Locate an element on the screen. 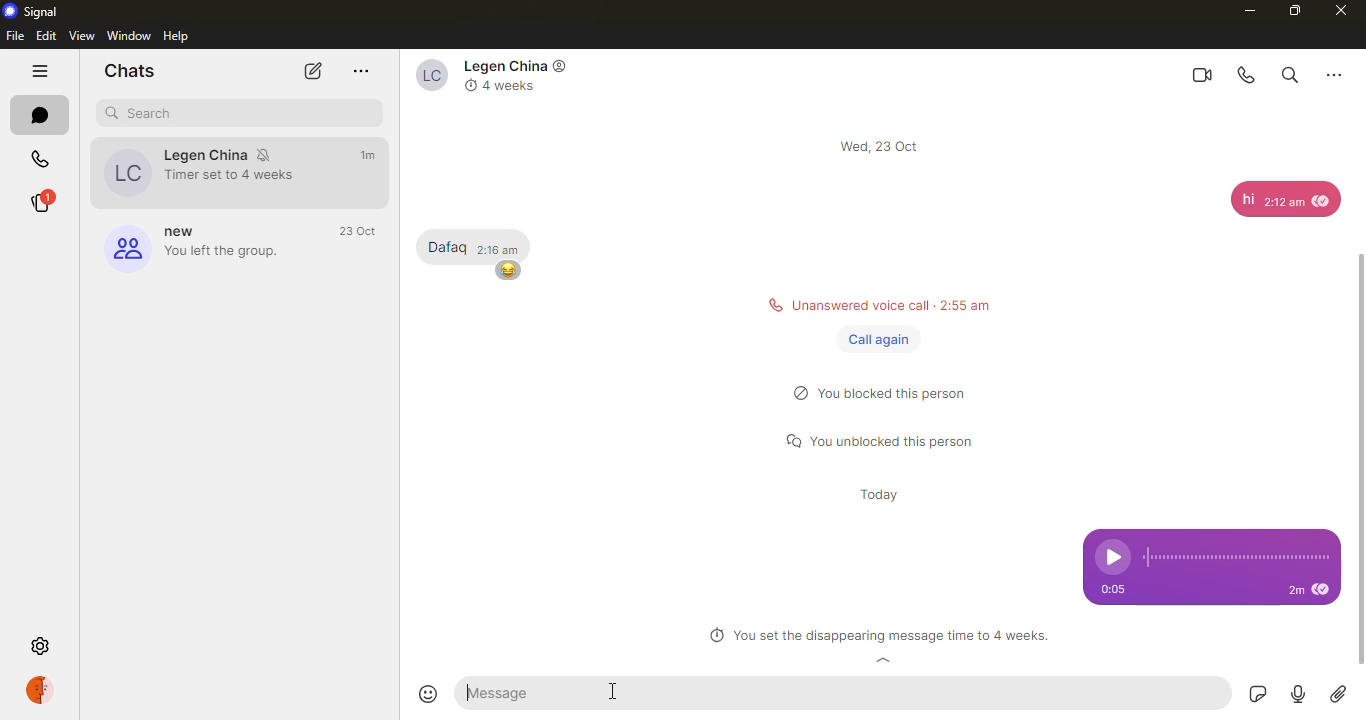 Image resolution: width=1366 pixels, height=720 pixels. profile is located at coordinates (44, 690).